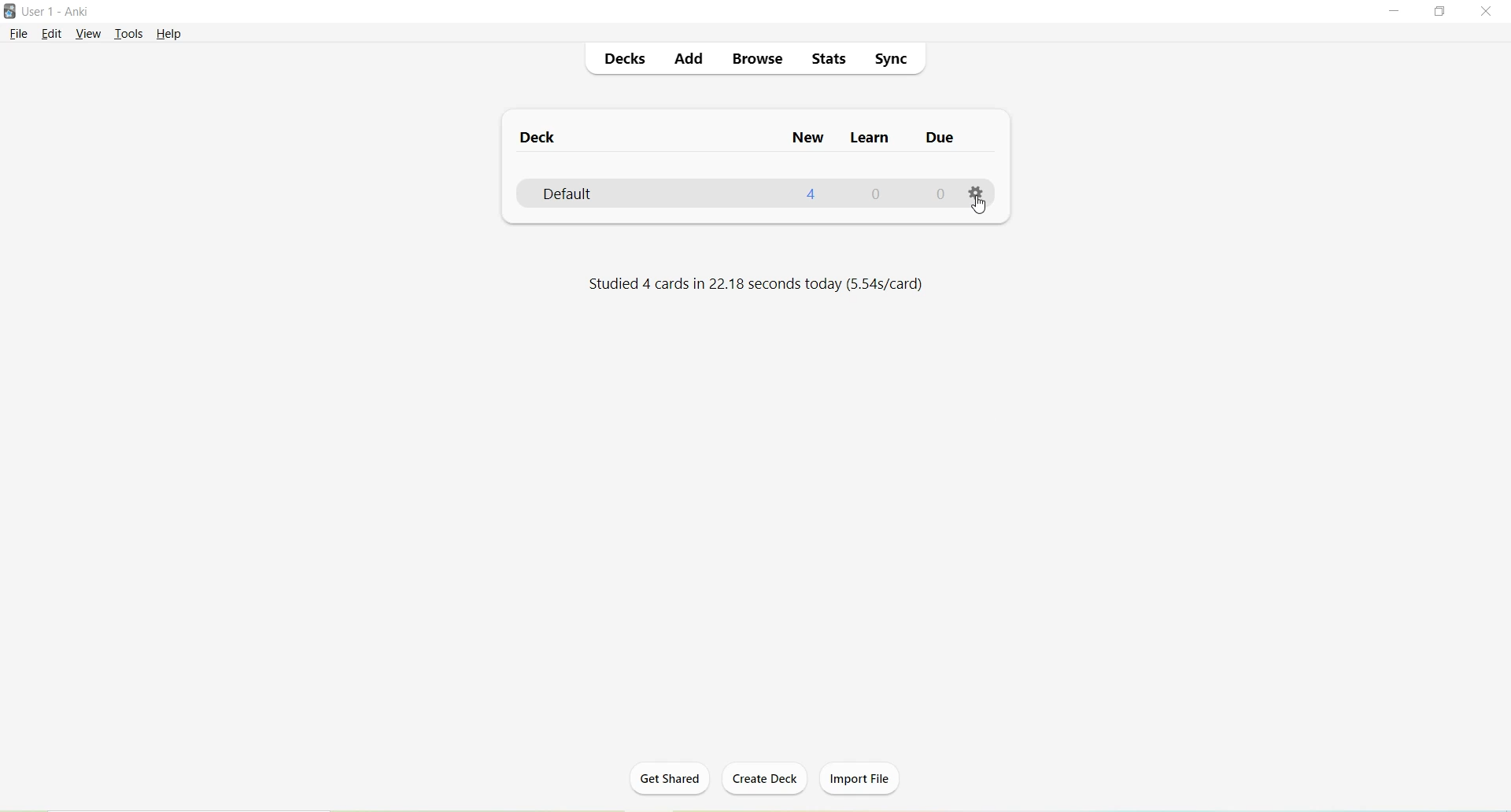 This screenshot has width=1511, height=812. I want to click on Tools, so click(128, 35).